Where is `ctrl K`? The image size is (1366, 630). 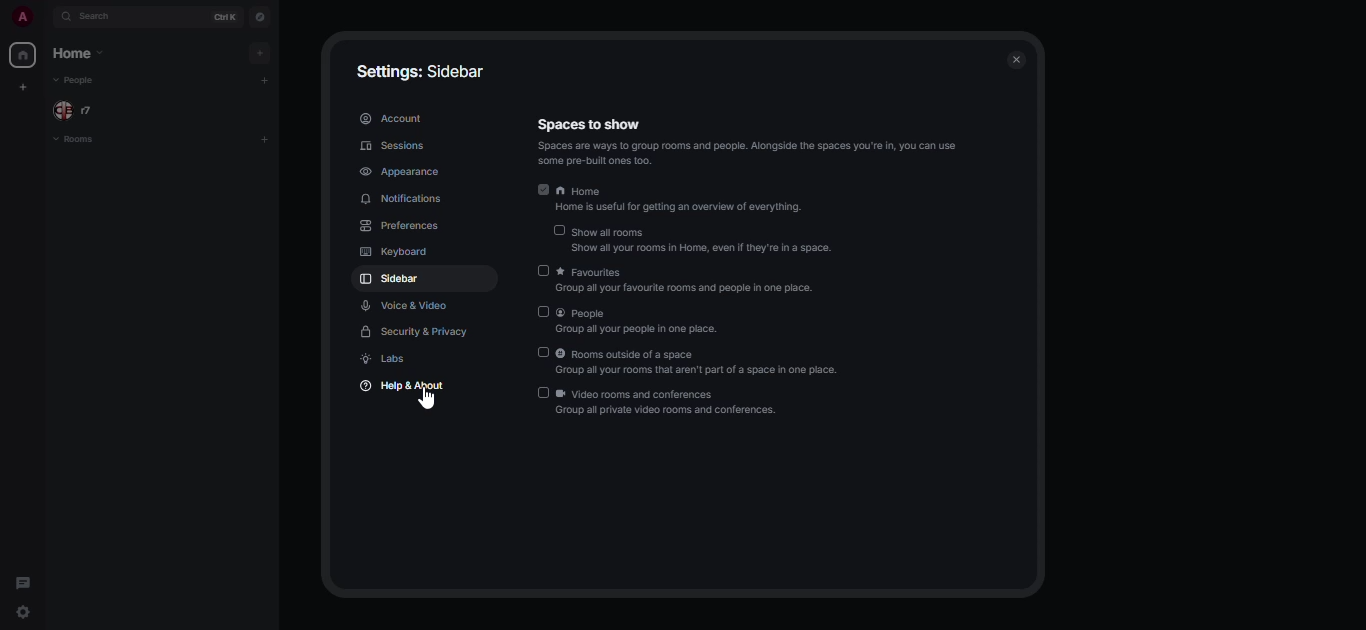 ctrl K is located at coordinates (225, 14).